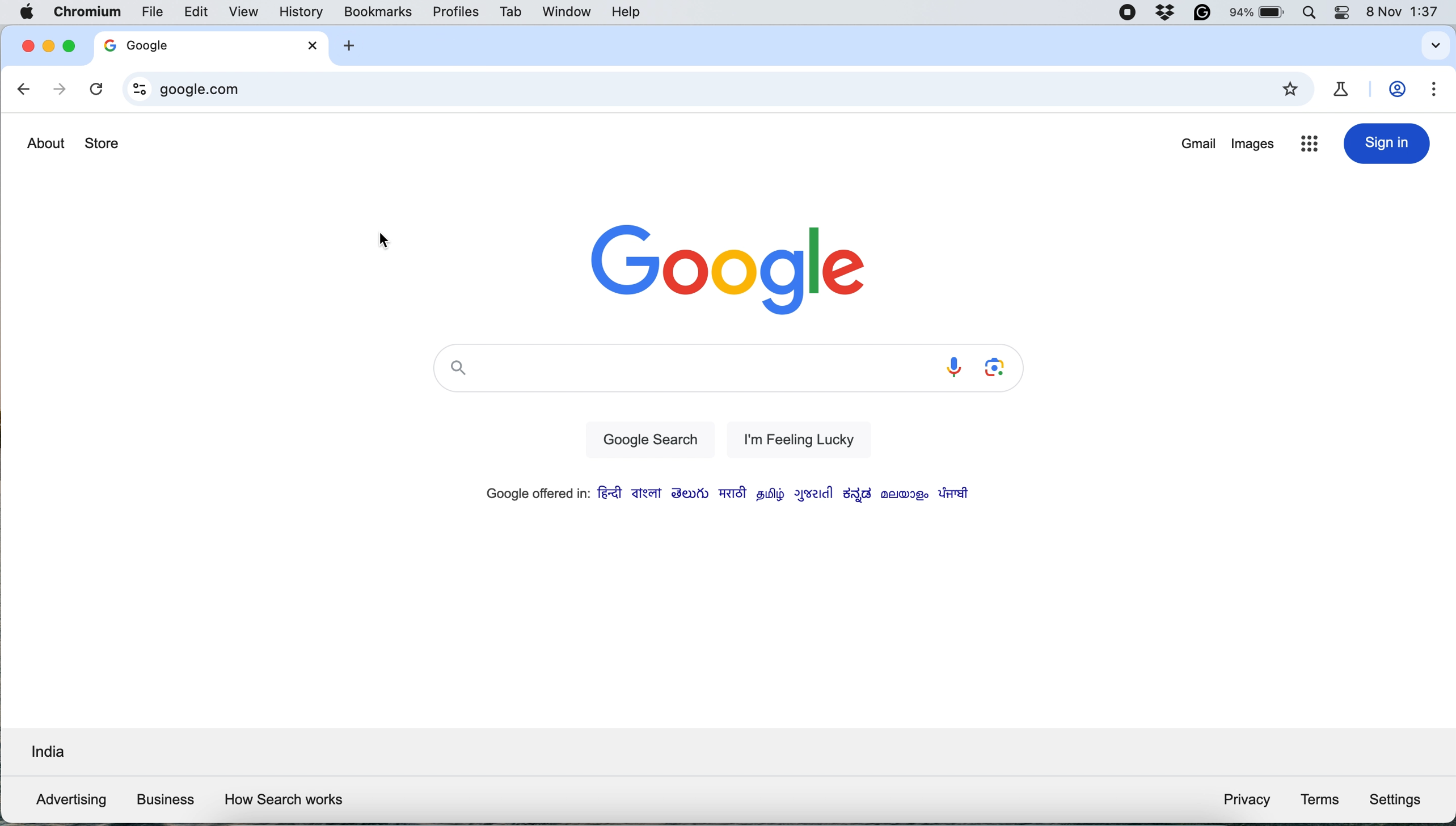 The image size is (1456, 826). I want to click on grammarly, so click(1201, 14).